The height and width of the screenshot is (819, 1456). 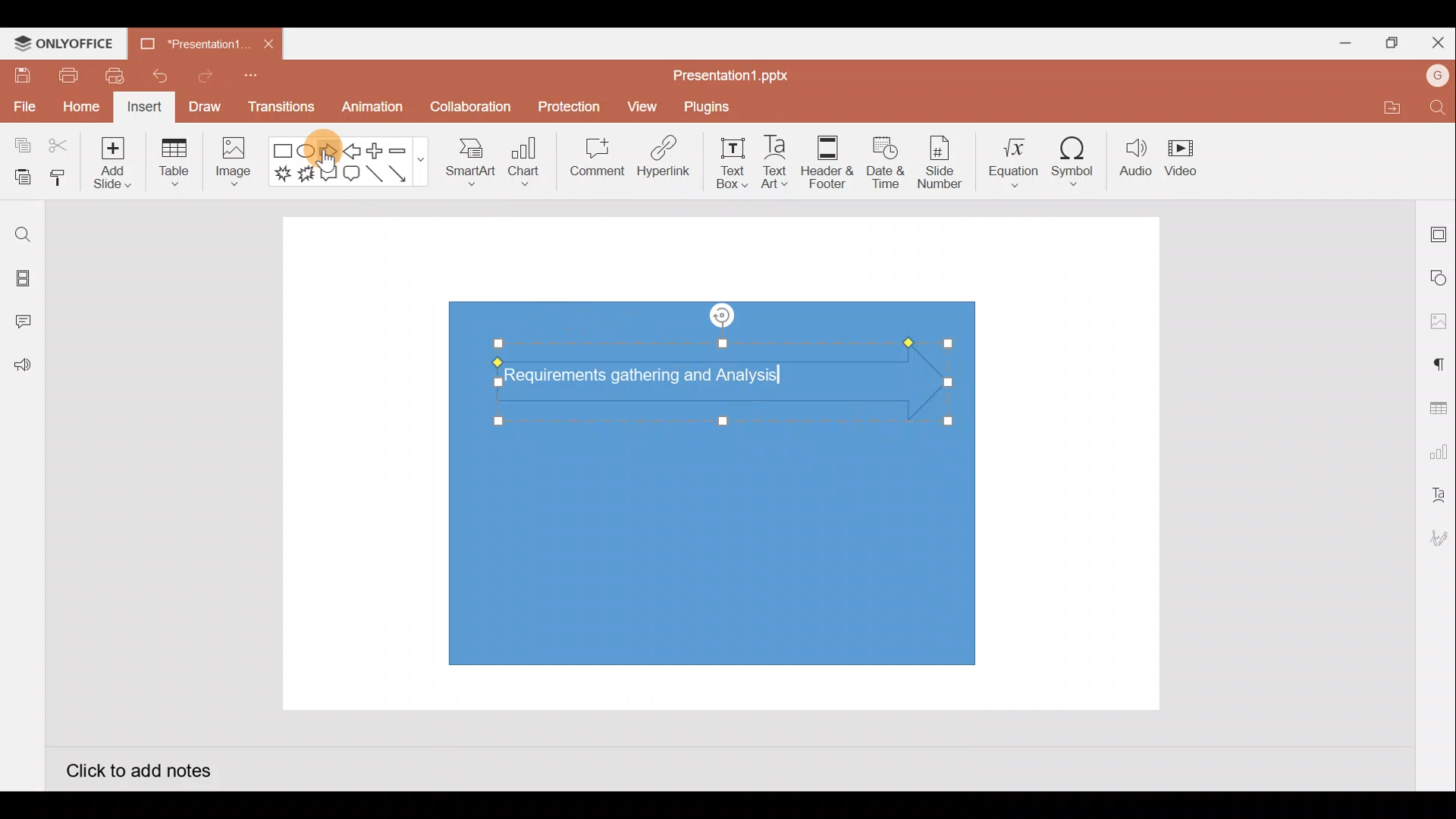 What do you see at coordinates (19, 178) in the screenshot?
I see `Paste` at bounding box center [19, 178].